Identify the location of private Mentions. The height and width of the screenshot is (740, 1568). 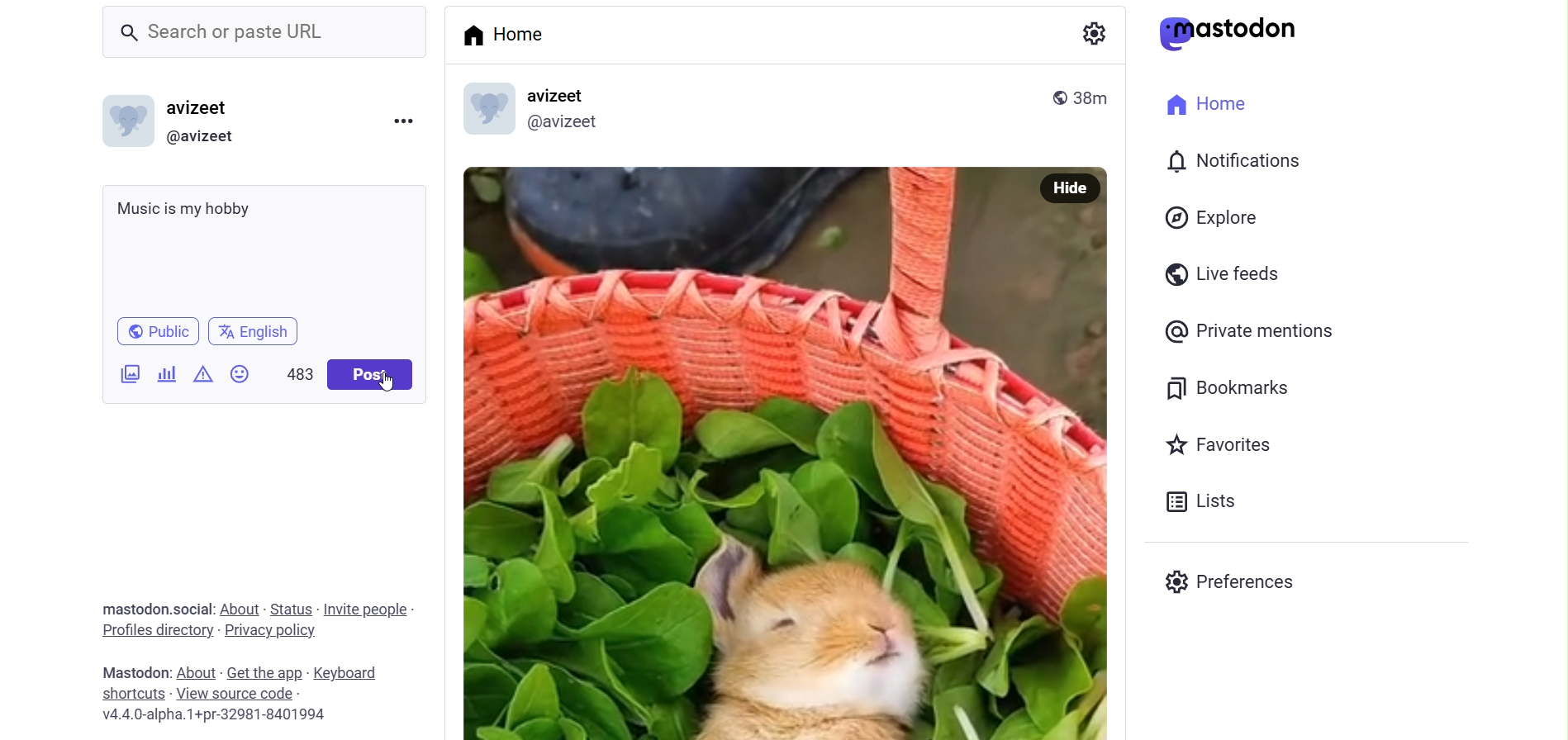
(1247, 331).